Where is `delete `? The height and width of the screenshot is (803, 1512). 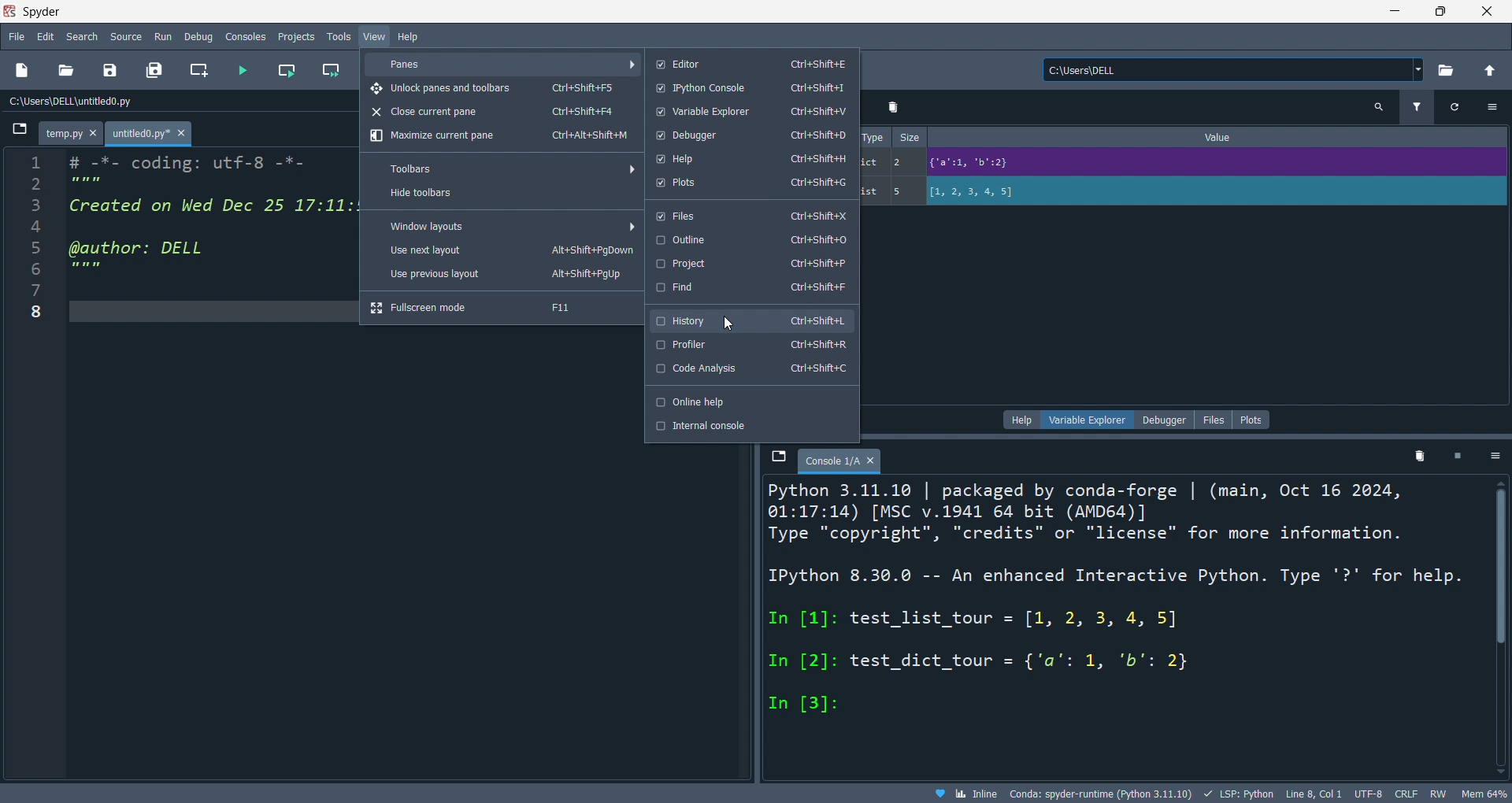 delete  is located at coordinates (1421, 460).